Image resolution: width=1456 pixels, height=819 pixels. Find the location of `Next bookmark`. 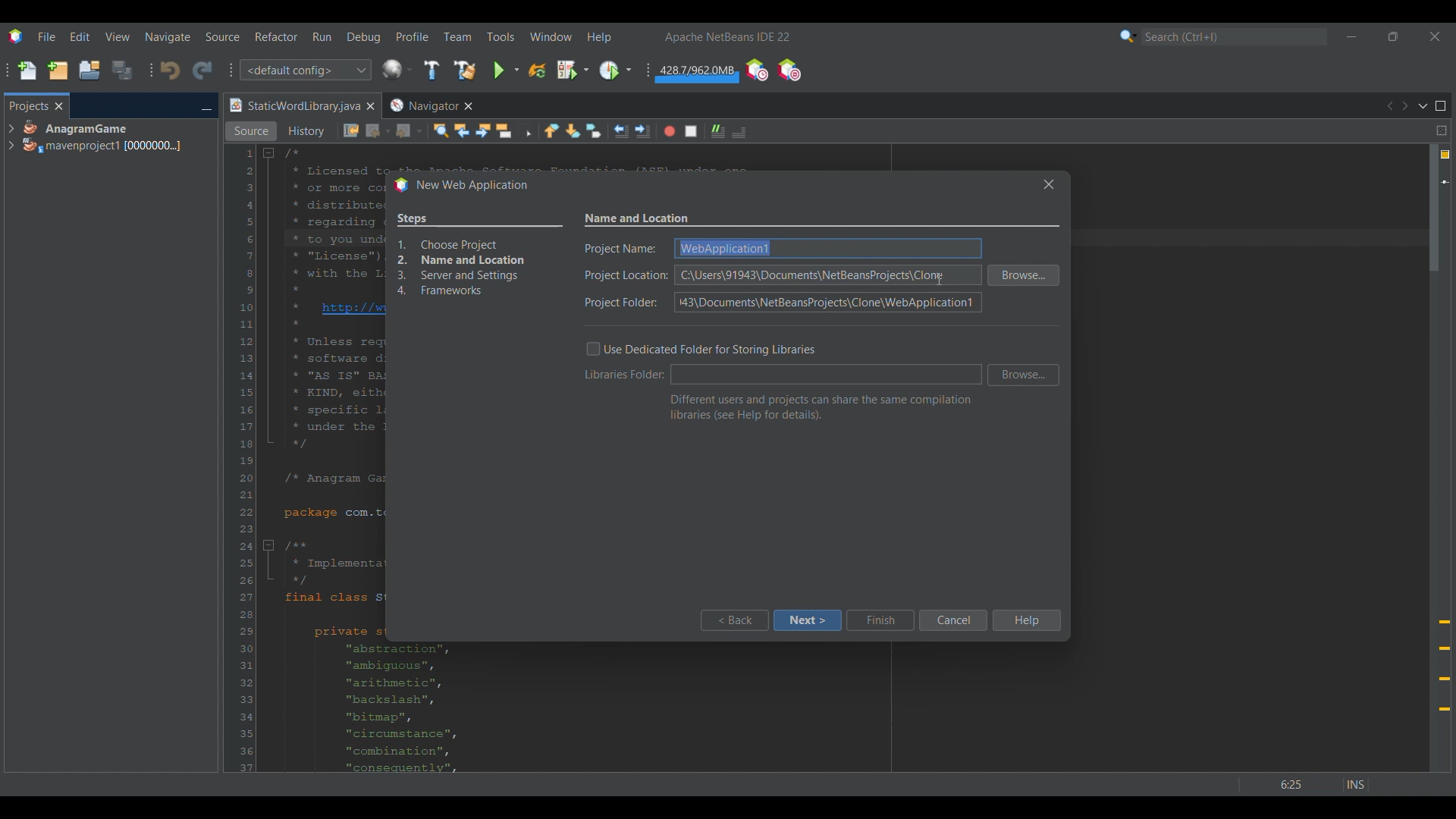

Next bookmark is located at coordinates (573, 131).